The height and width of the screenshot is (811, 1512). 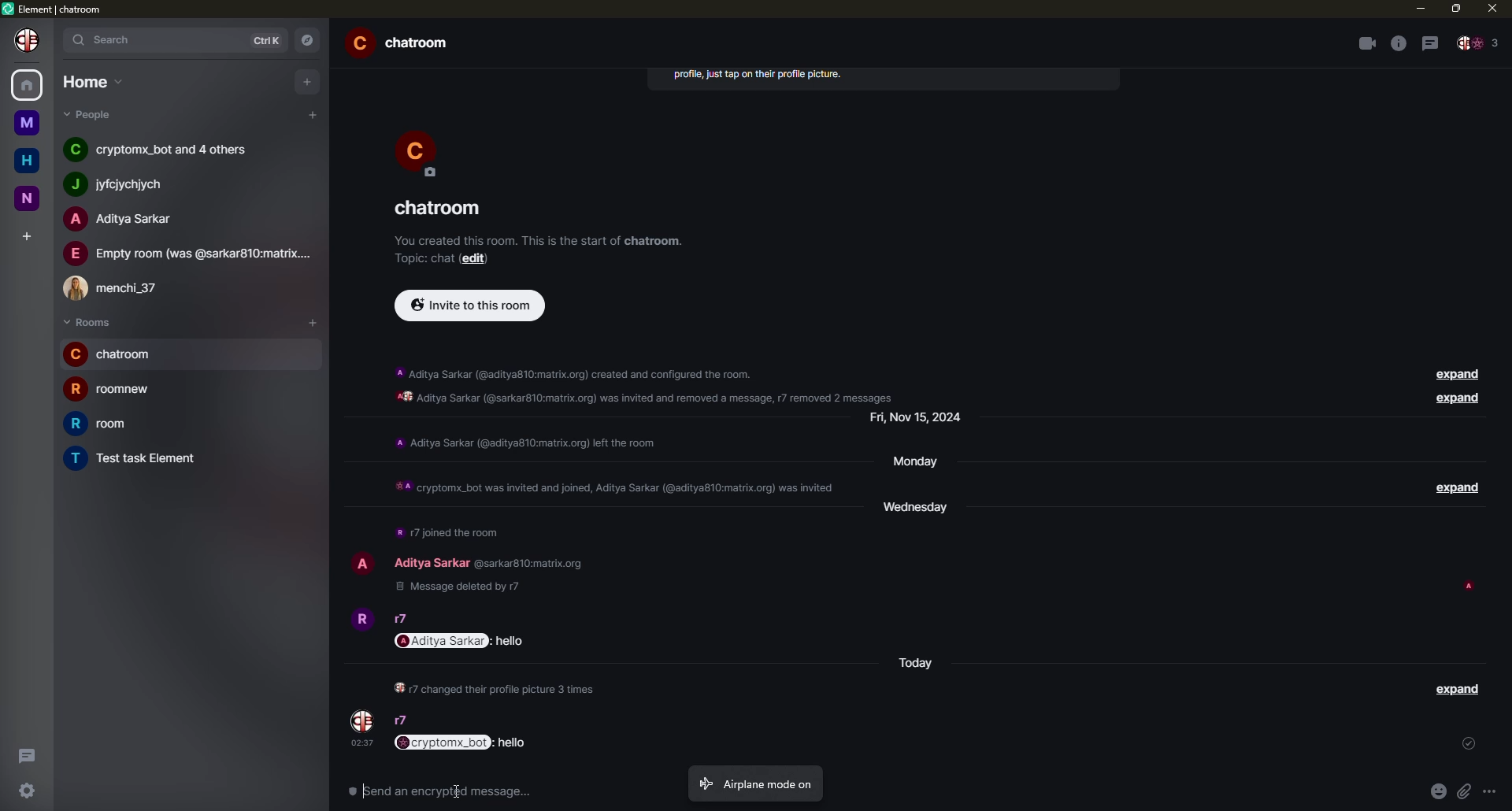 I want to click on add, so click(x=313, y=321).